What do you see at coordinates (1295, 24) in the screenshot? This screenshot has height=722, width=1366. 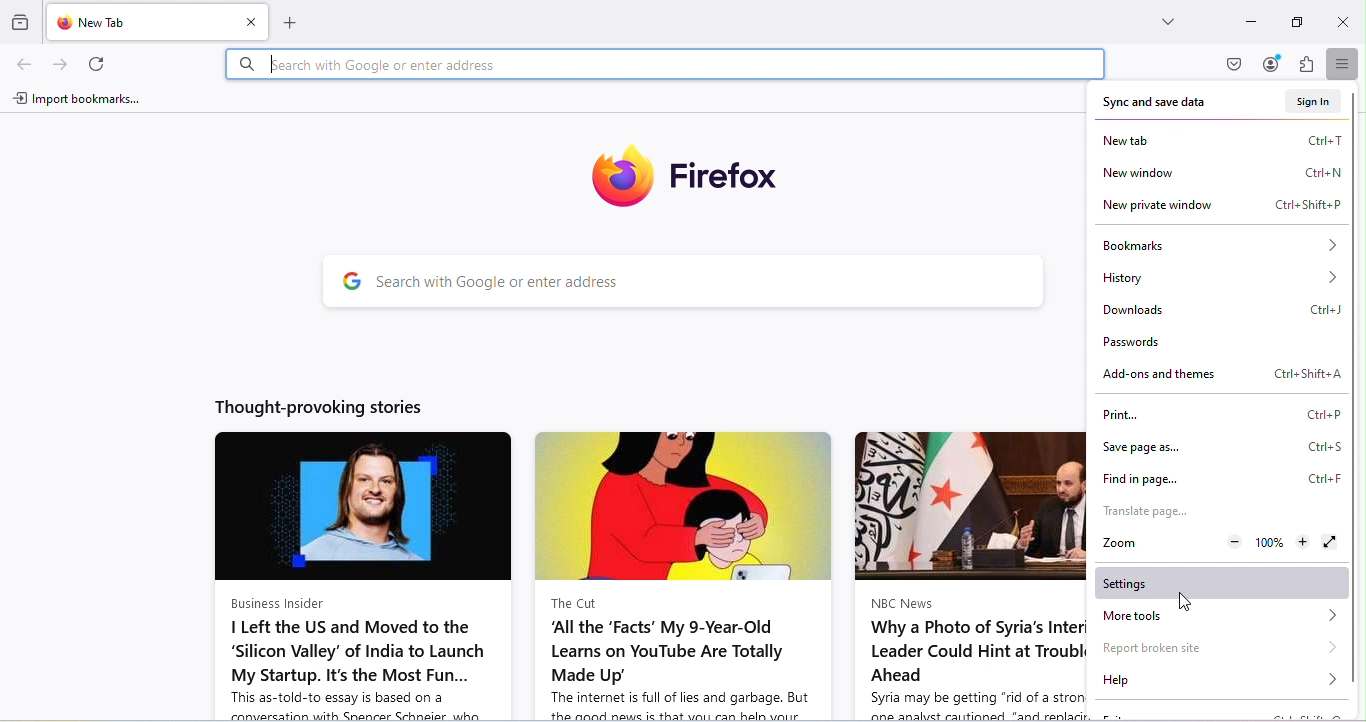 I see `Maximize` at bounding box center [1295, 24].